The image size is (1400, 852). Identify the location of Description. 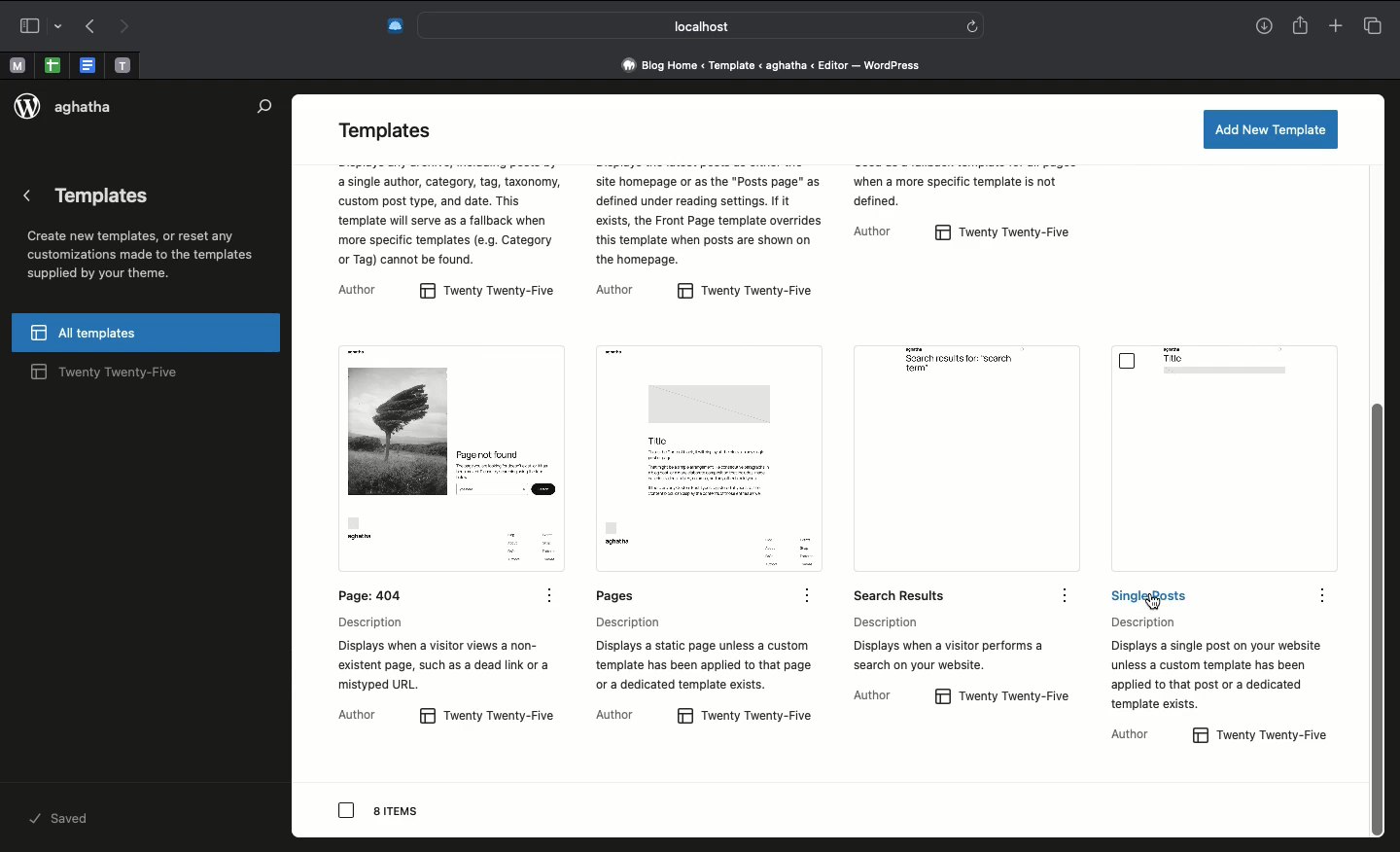
(961, 647).